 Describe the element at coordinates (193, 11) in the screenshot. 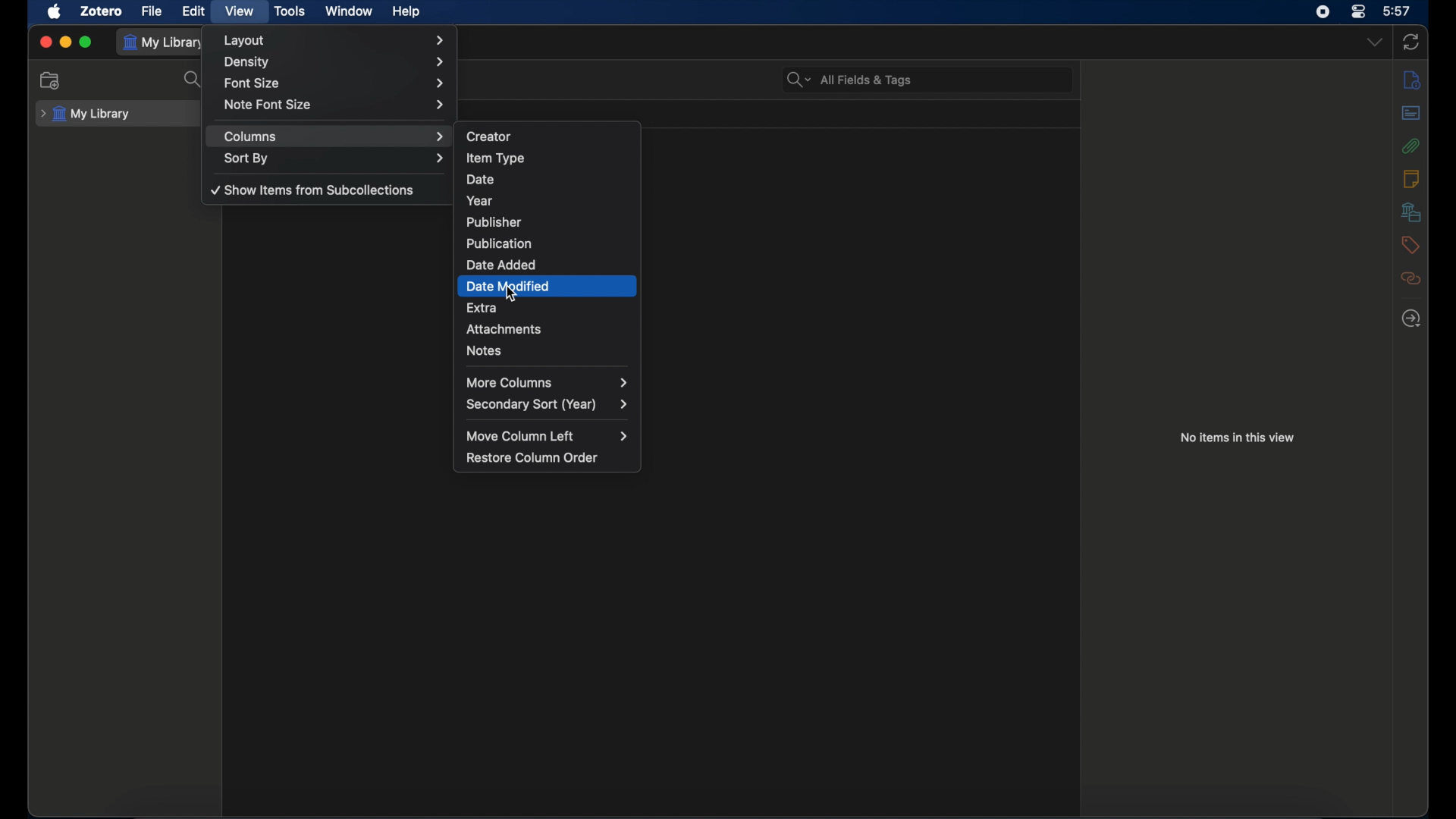

I see `edit` at that location.